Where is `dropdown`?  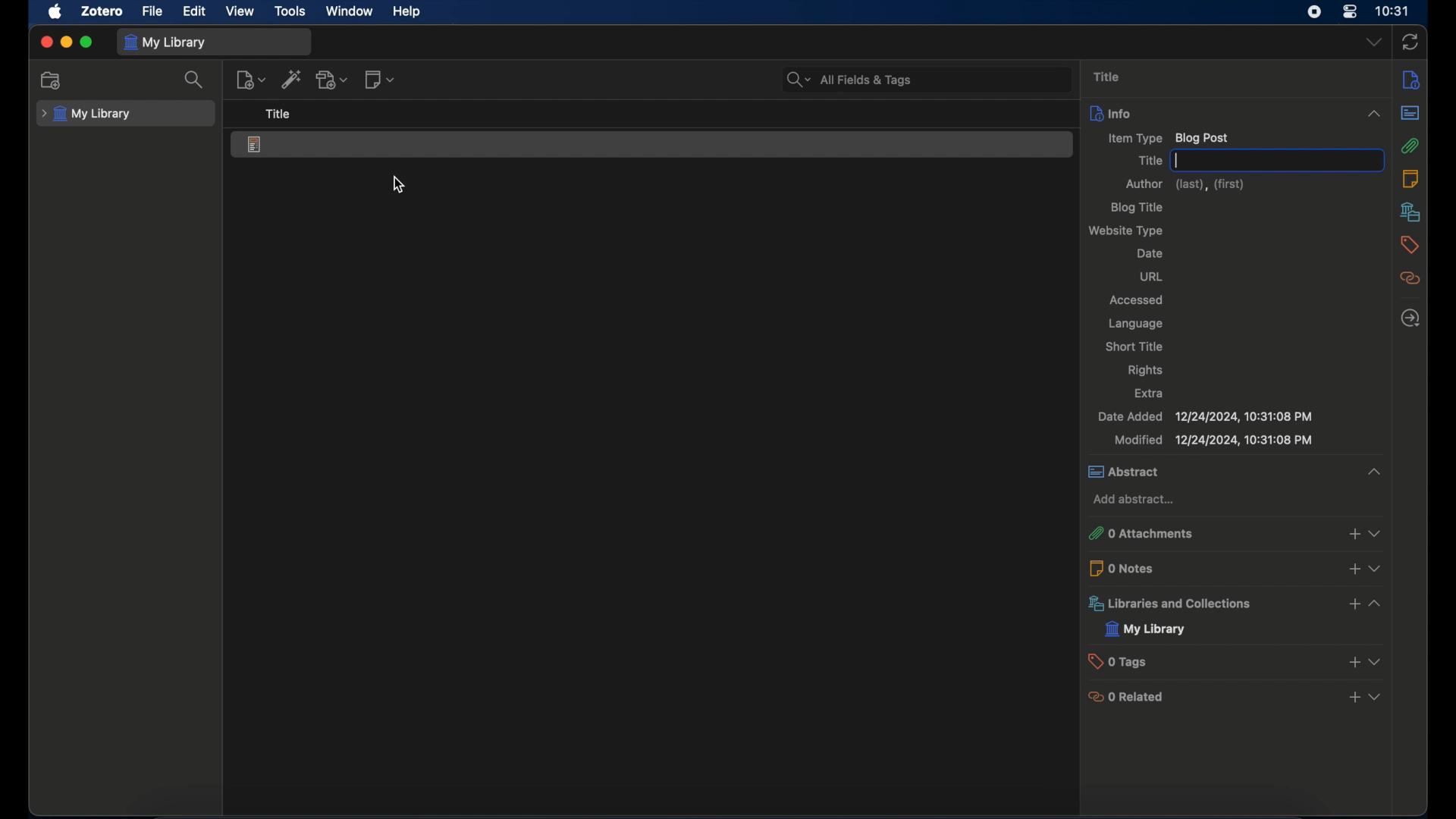
dropdown is located at coordinates (1373, 42).